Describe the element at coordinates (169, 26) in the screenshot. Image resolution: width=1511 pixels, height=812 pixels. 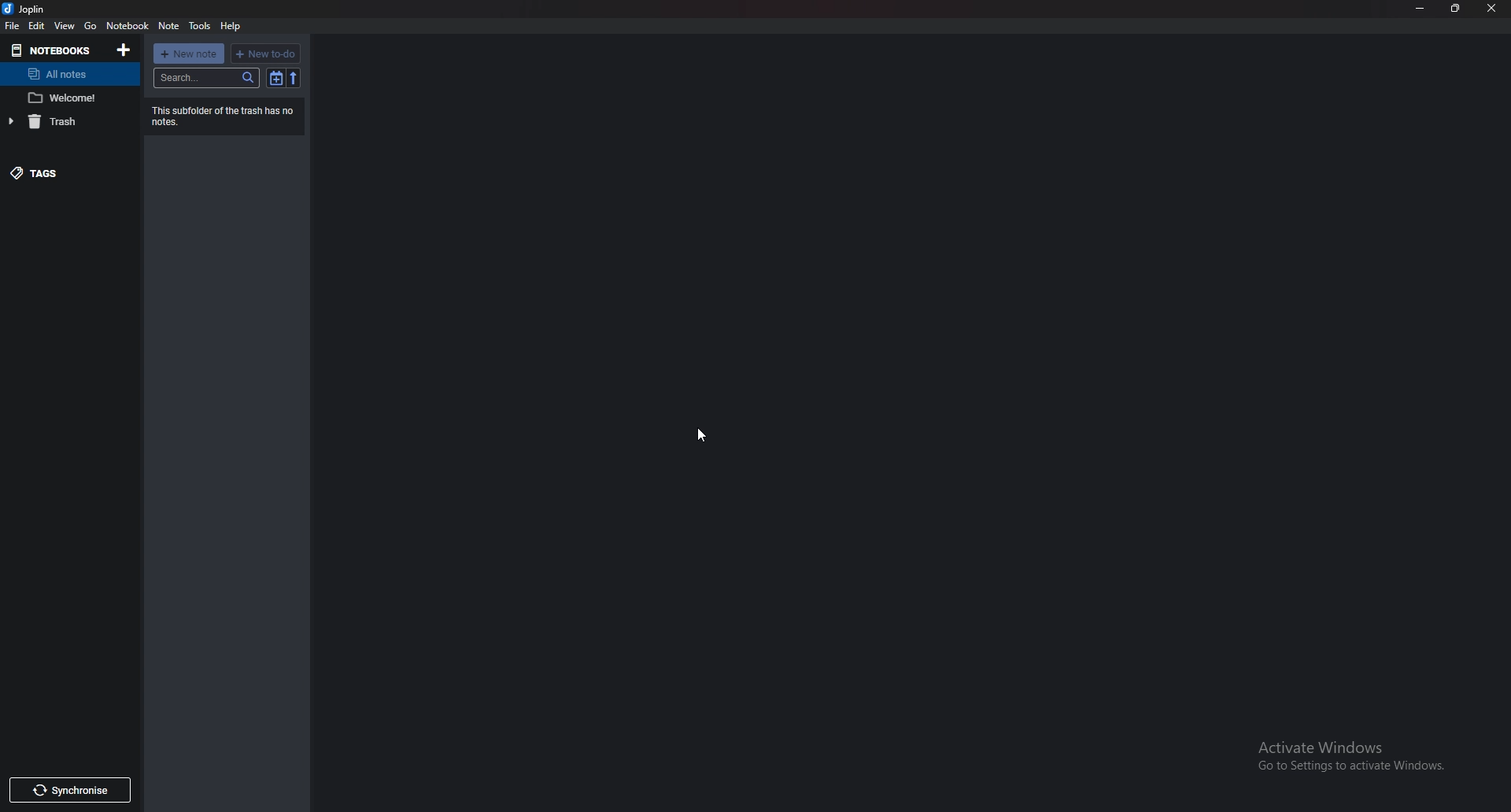
I see `note` at that location.